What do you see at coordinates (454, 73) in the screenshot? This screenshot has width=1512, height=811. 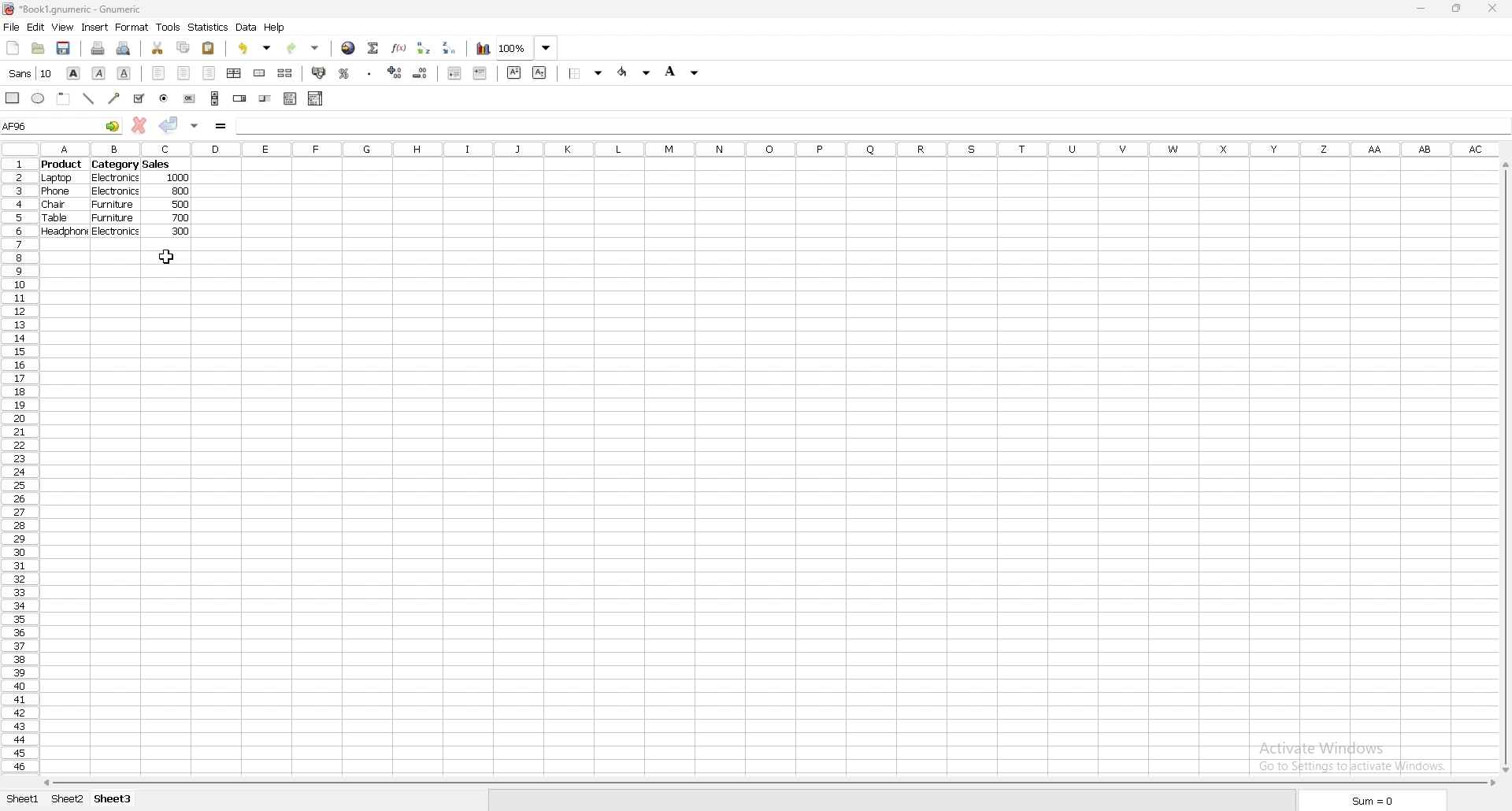 I see `decrease indent` at bounding box center [454, 73].